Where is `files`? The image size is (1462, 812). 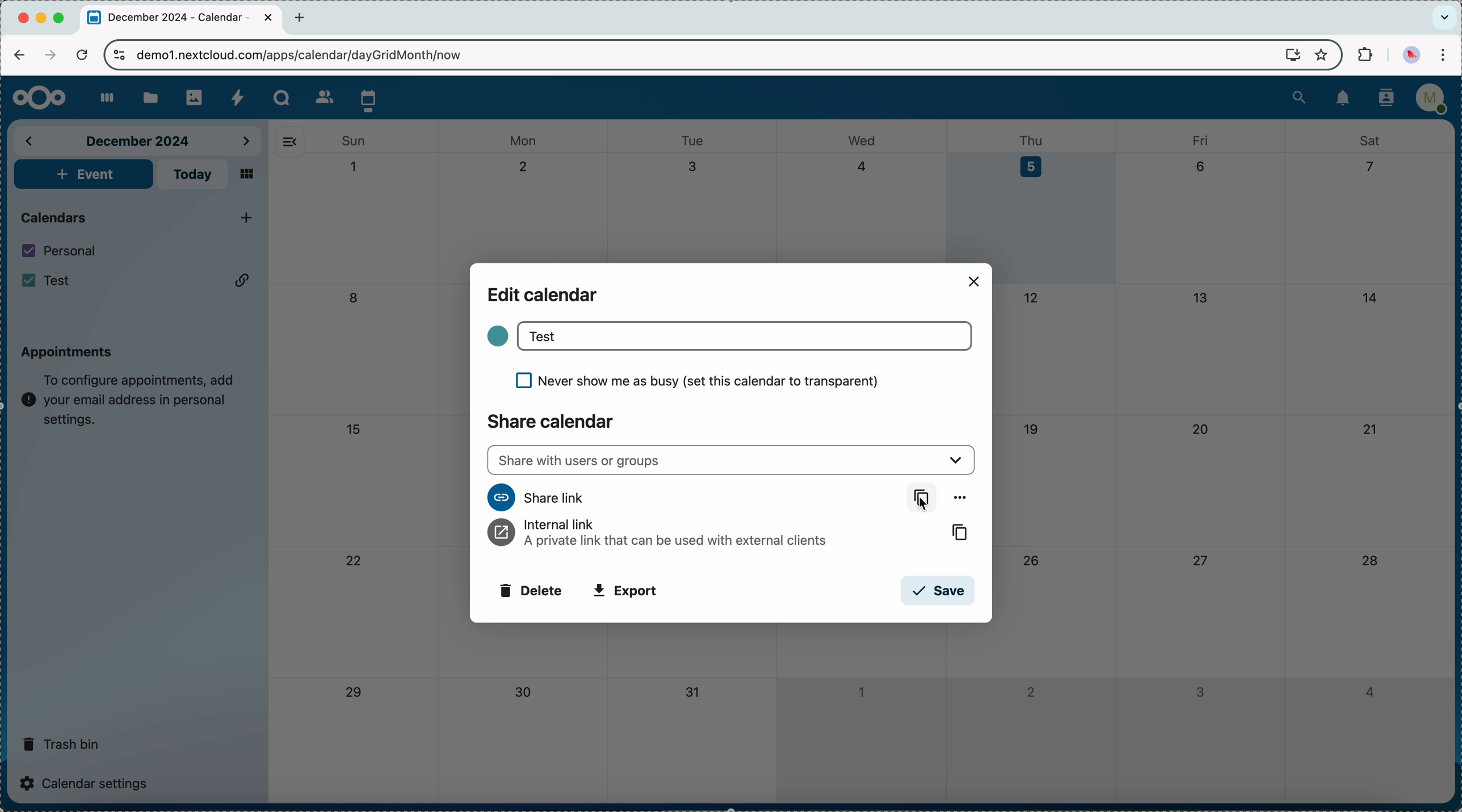
files is located at coordinates (149, 96).